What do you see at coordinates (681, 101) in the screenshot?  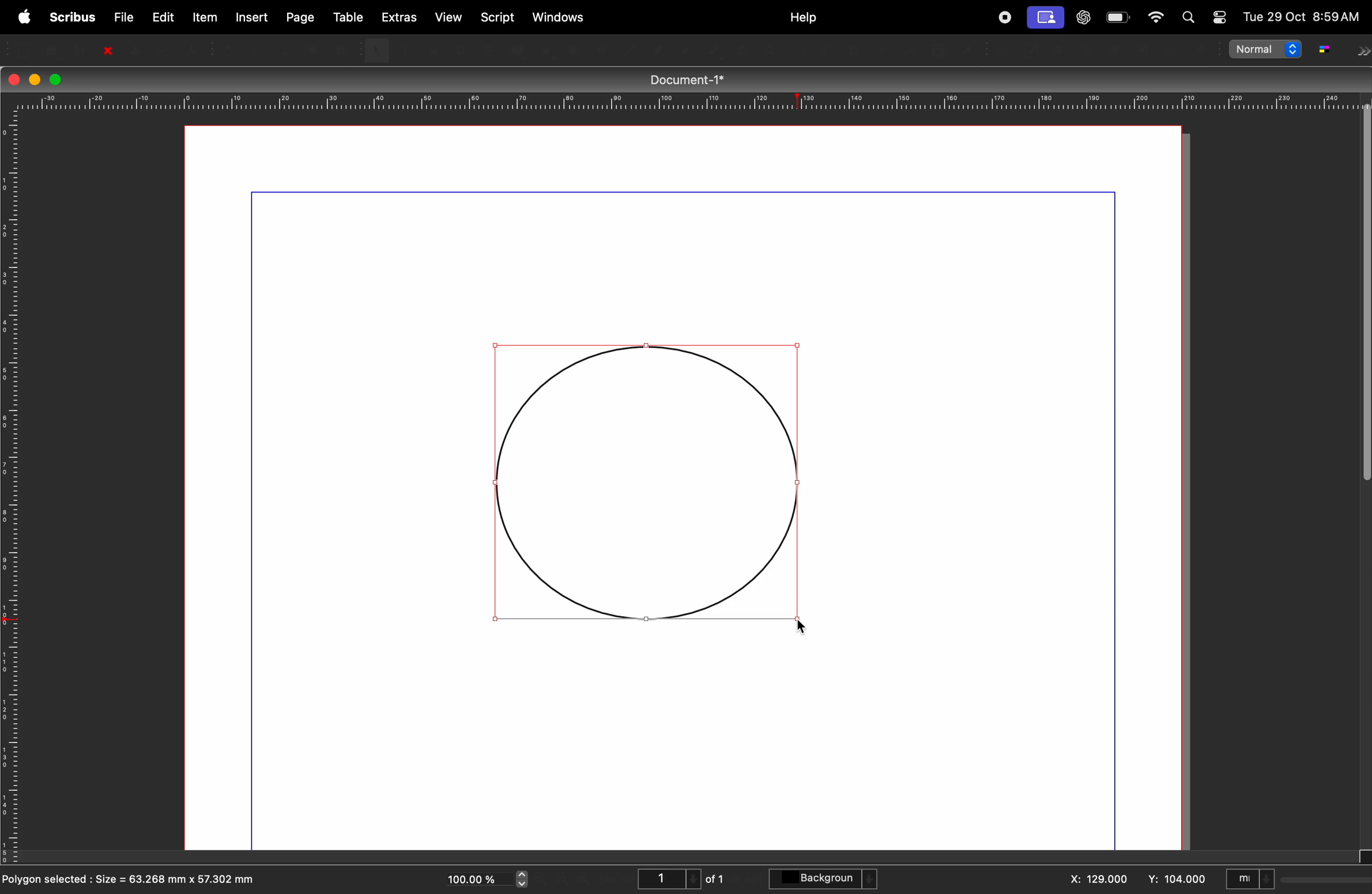 I see `horrizontal scale` at bounding box center [681, 101].